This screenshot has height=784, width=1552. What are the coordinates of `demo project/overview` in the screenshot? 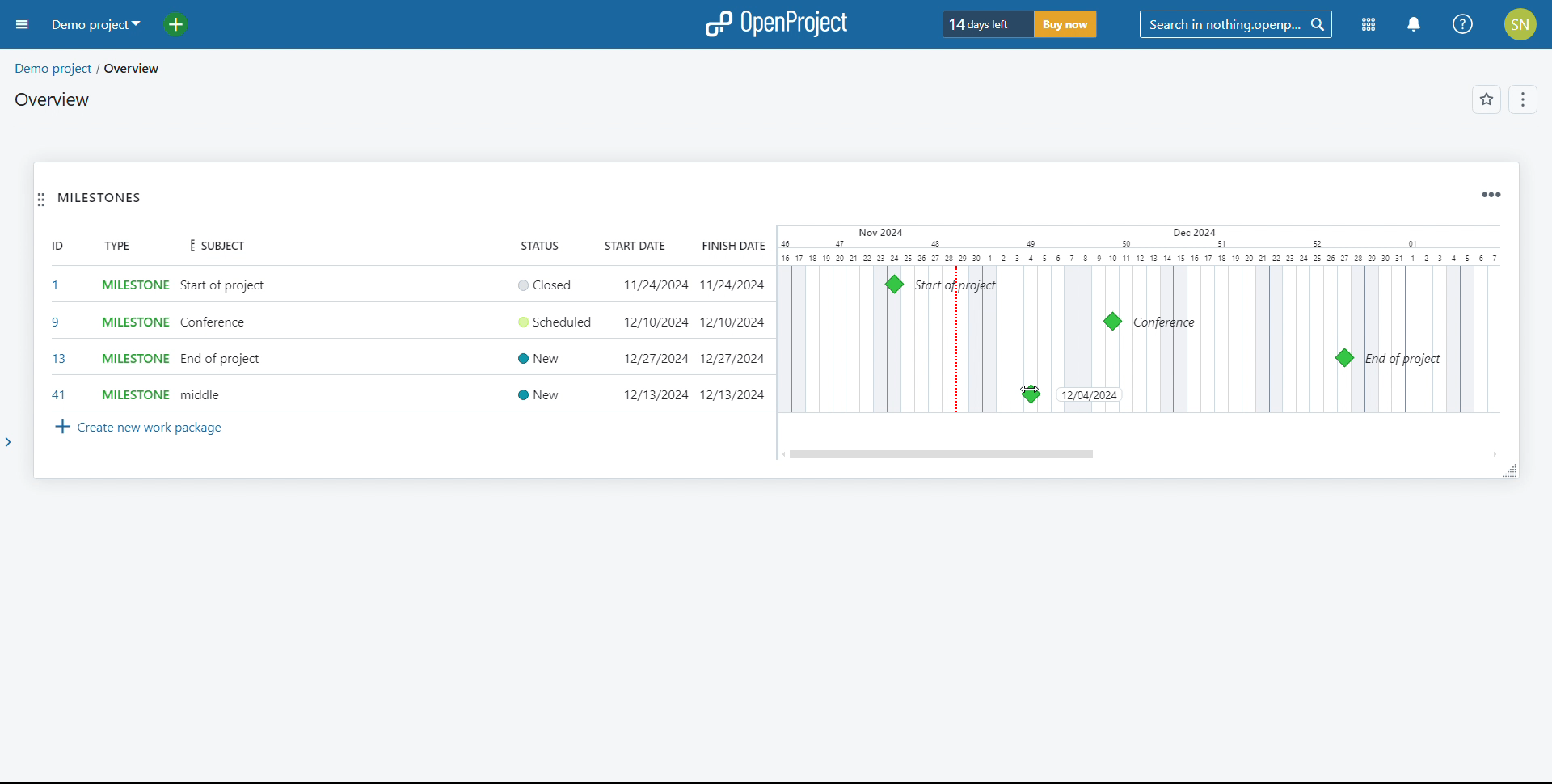 It's located at (89, 69).